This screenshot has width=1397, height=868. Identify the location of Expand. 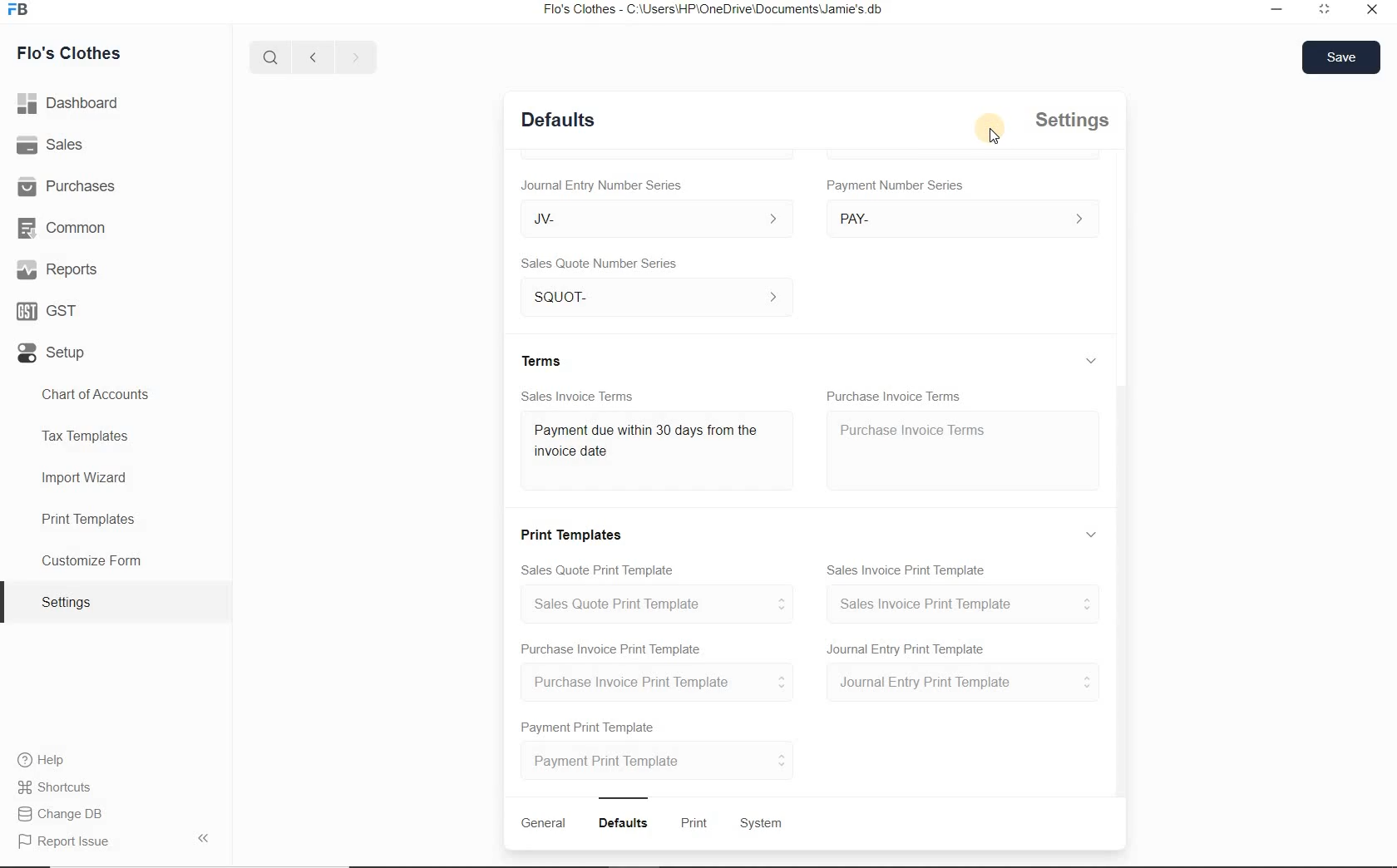
(1092, 361).